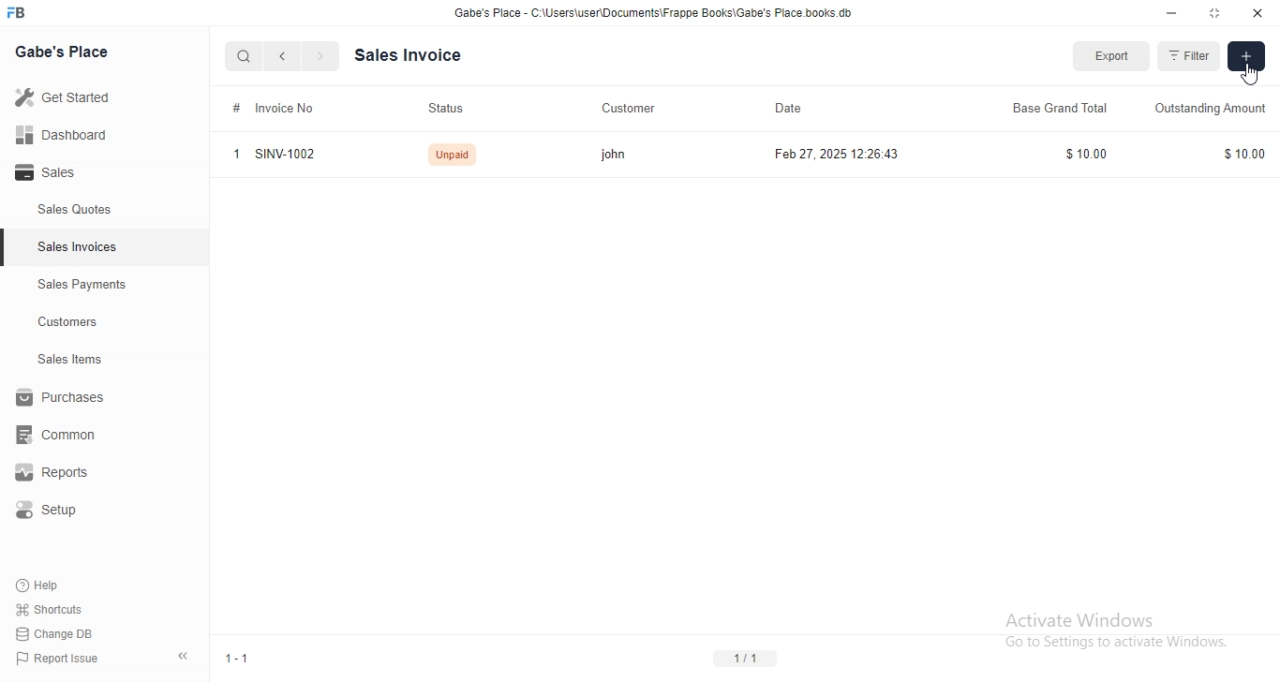 The height and width of the screenshot is (682, 1280). Describe the element at coordinates (1104, 57) in the screenshot. I see `Export` at that location.